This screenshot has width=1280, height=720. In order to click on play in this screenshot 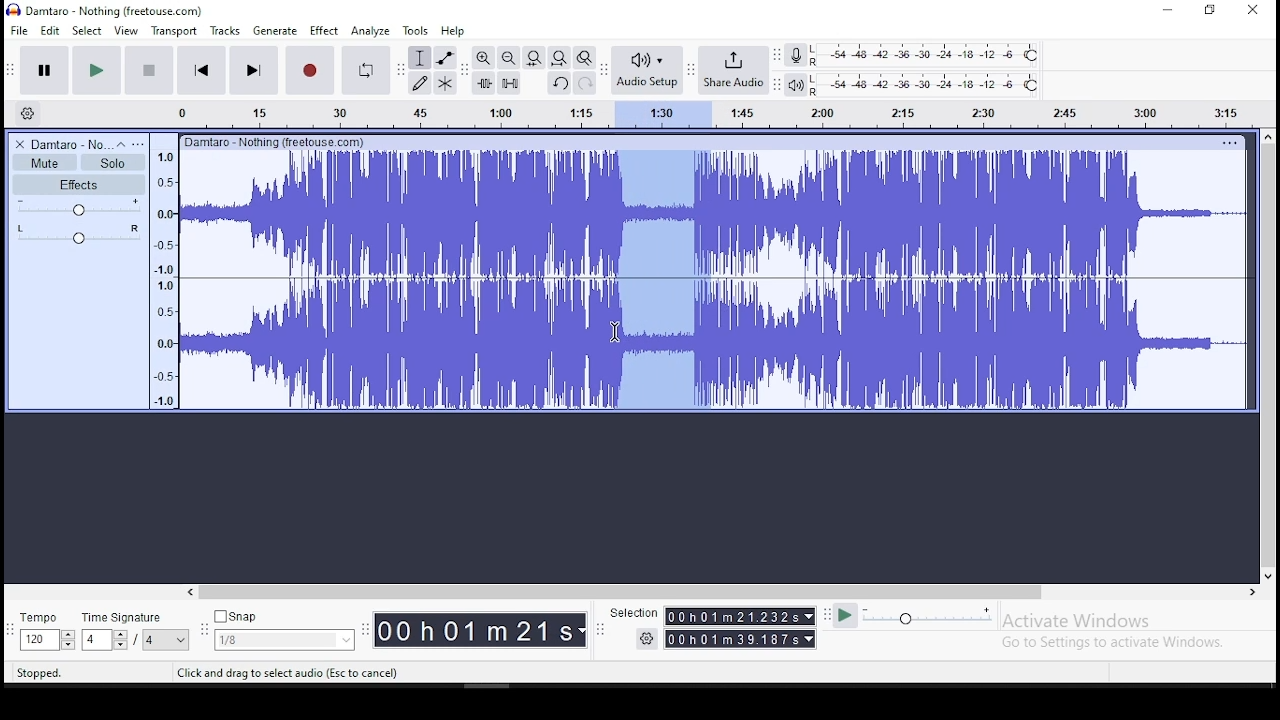, I will do `click(96, 71)`.